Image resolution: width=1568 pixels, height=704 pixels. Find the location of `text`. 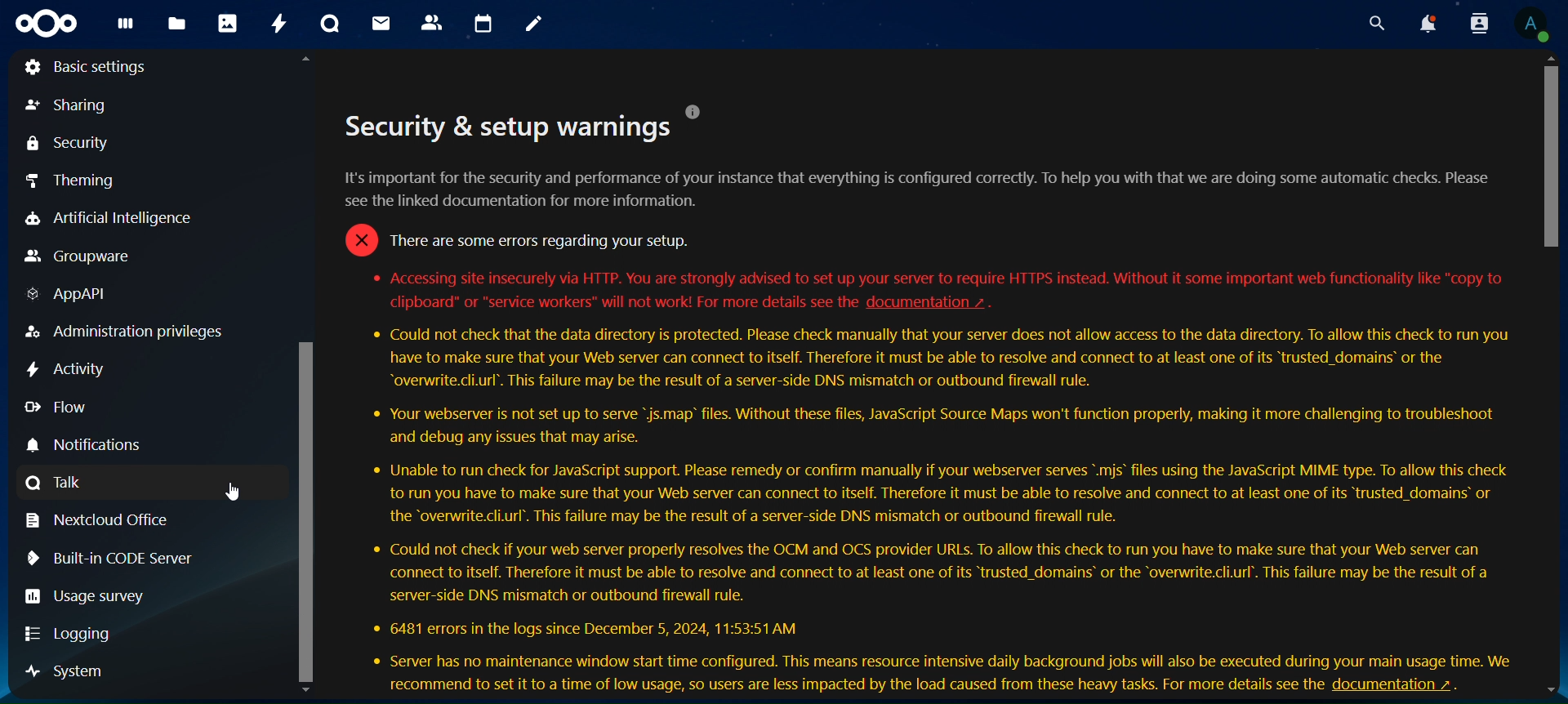

text is located at coordinates (928, 277).